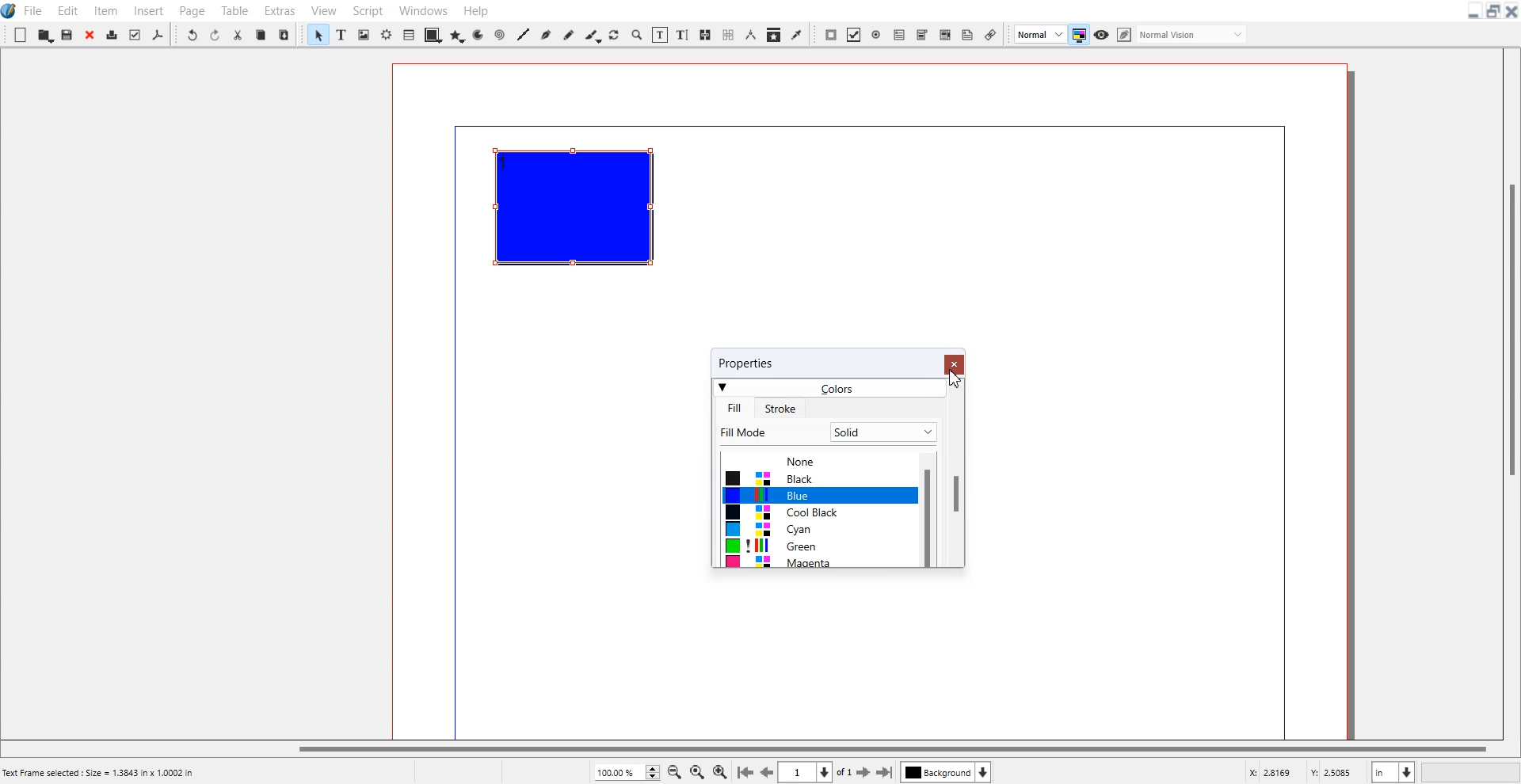  I want to click on Vertical Scroll bar, so click(1510, 391).